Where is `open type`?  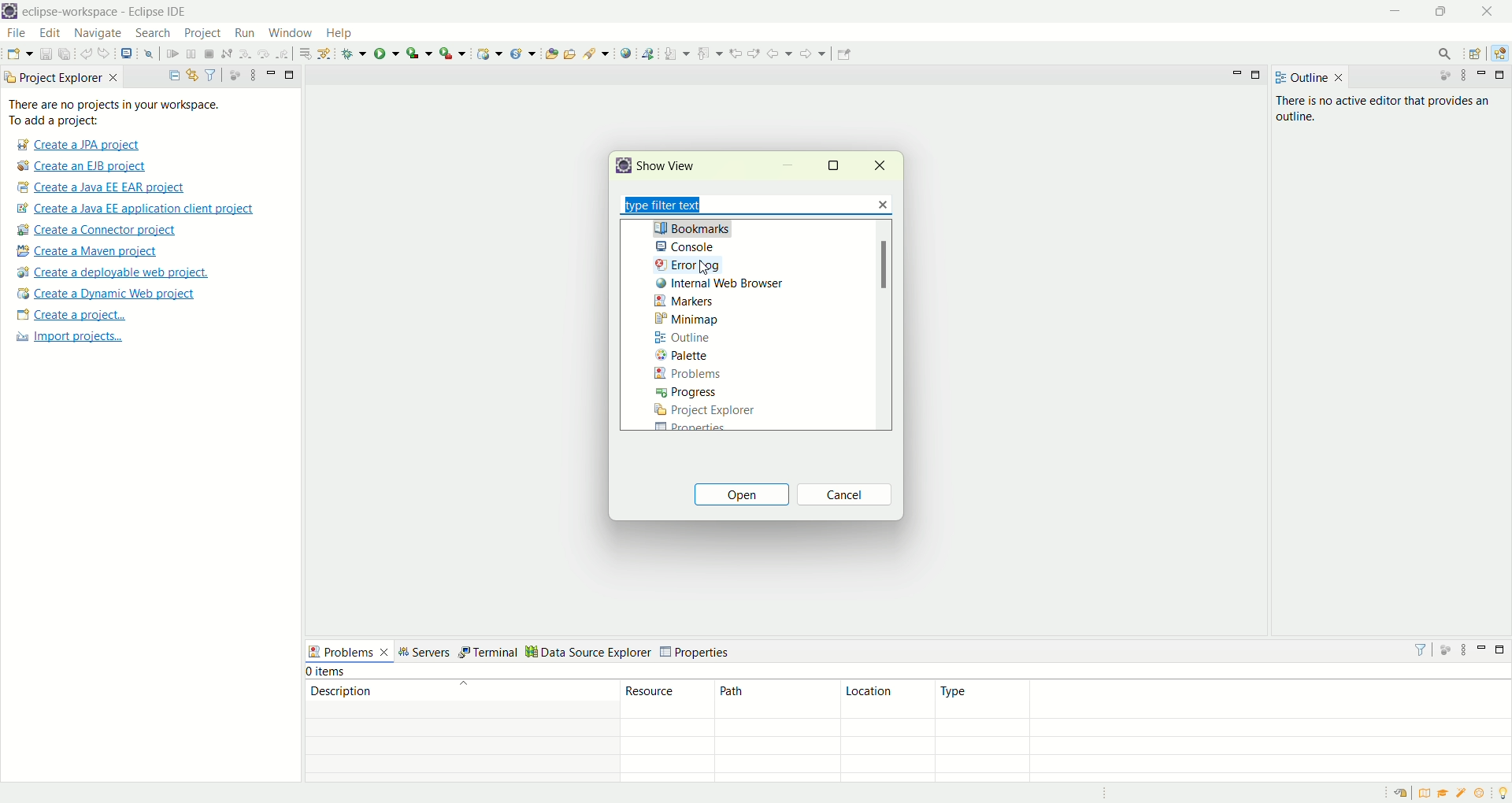 open type is located at coordinates (550, 52).